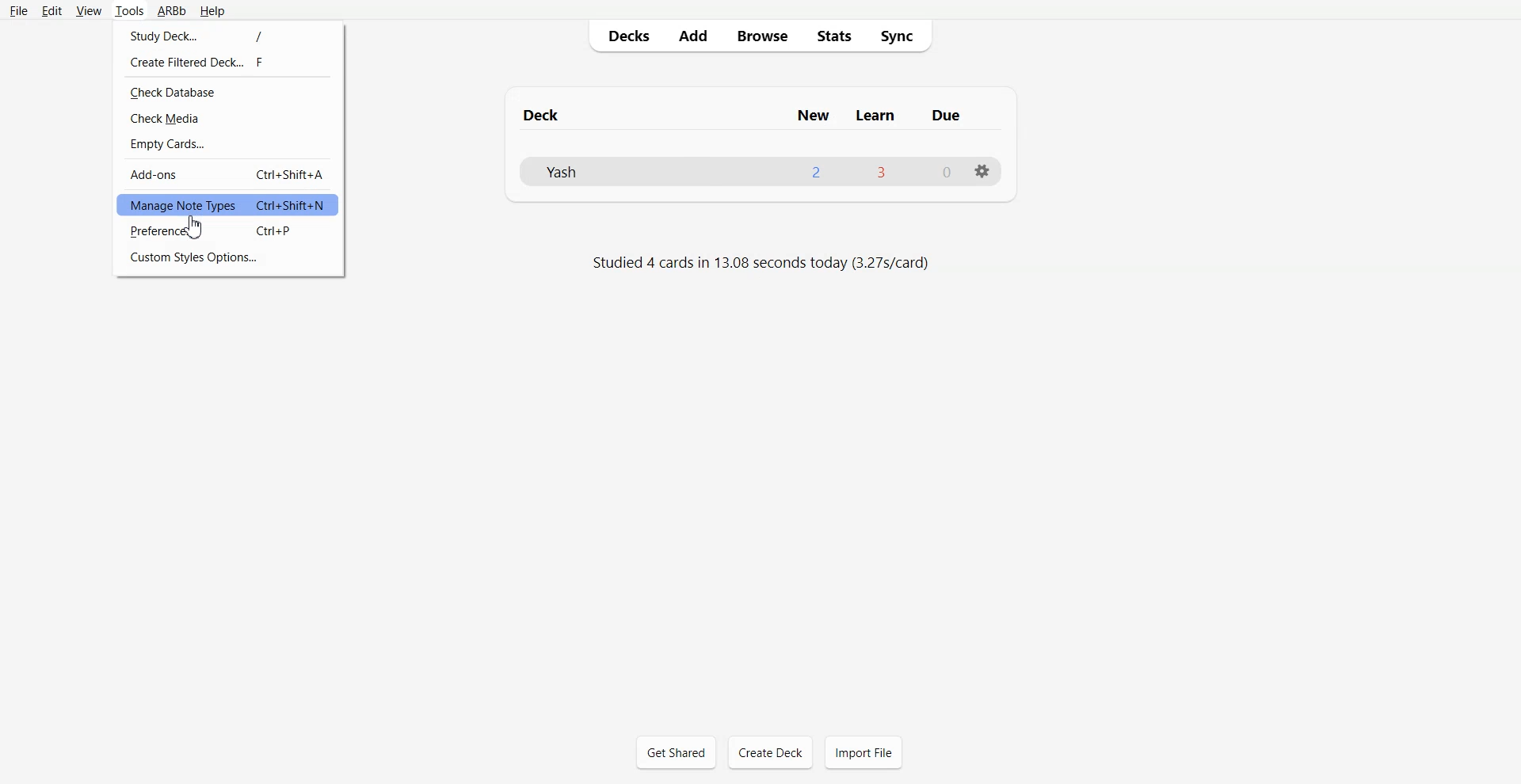 Image resolution: width=1521 pixels, height=784 pixels. What do you see at coordinates (212, 12) in the screenshot?
I see `Help` at bounding box center [212, 12].